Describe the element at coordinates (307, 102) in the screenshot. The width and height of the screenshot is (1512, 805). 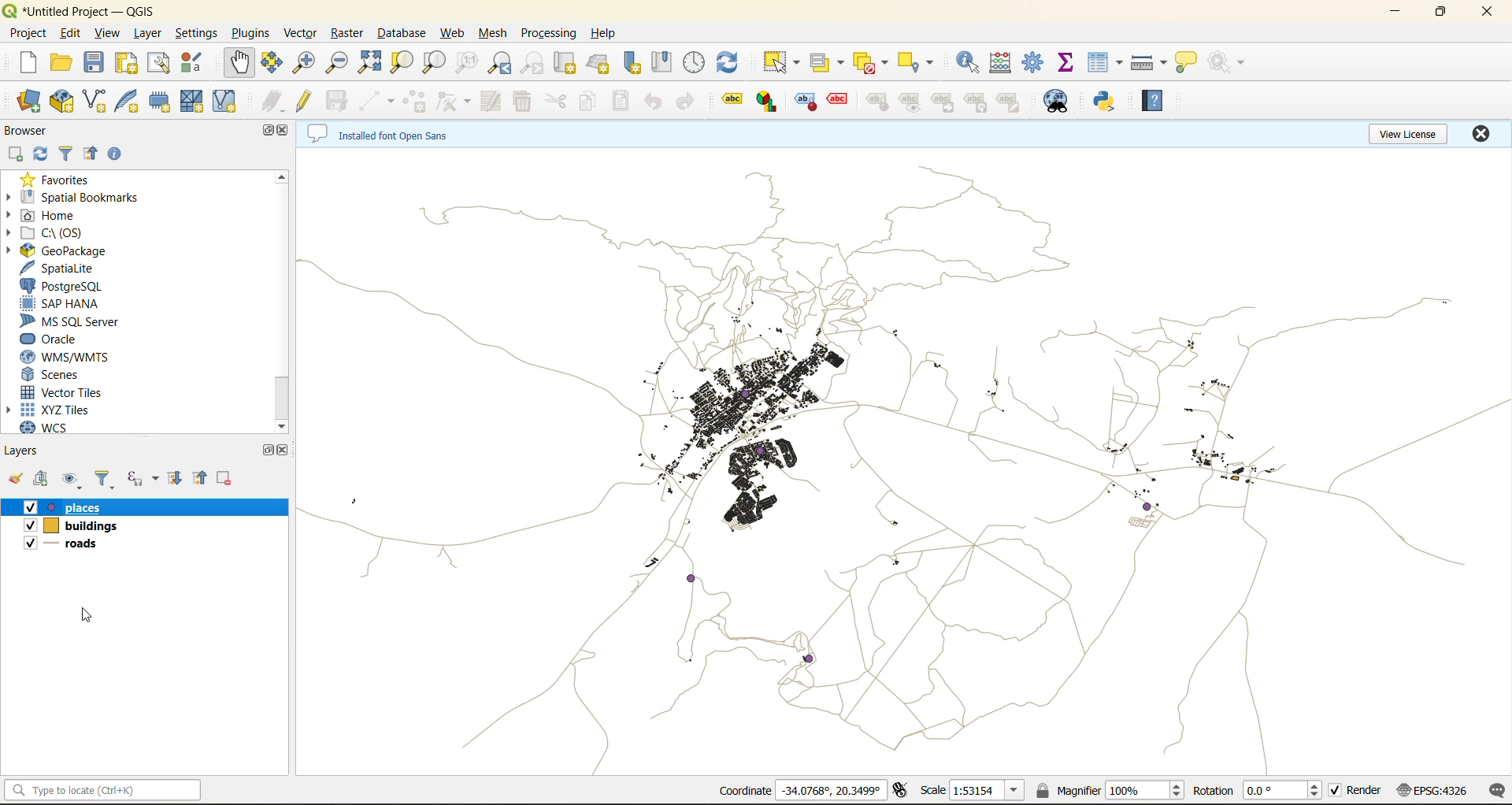
I see `toggle edits` at that location.